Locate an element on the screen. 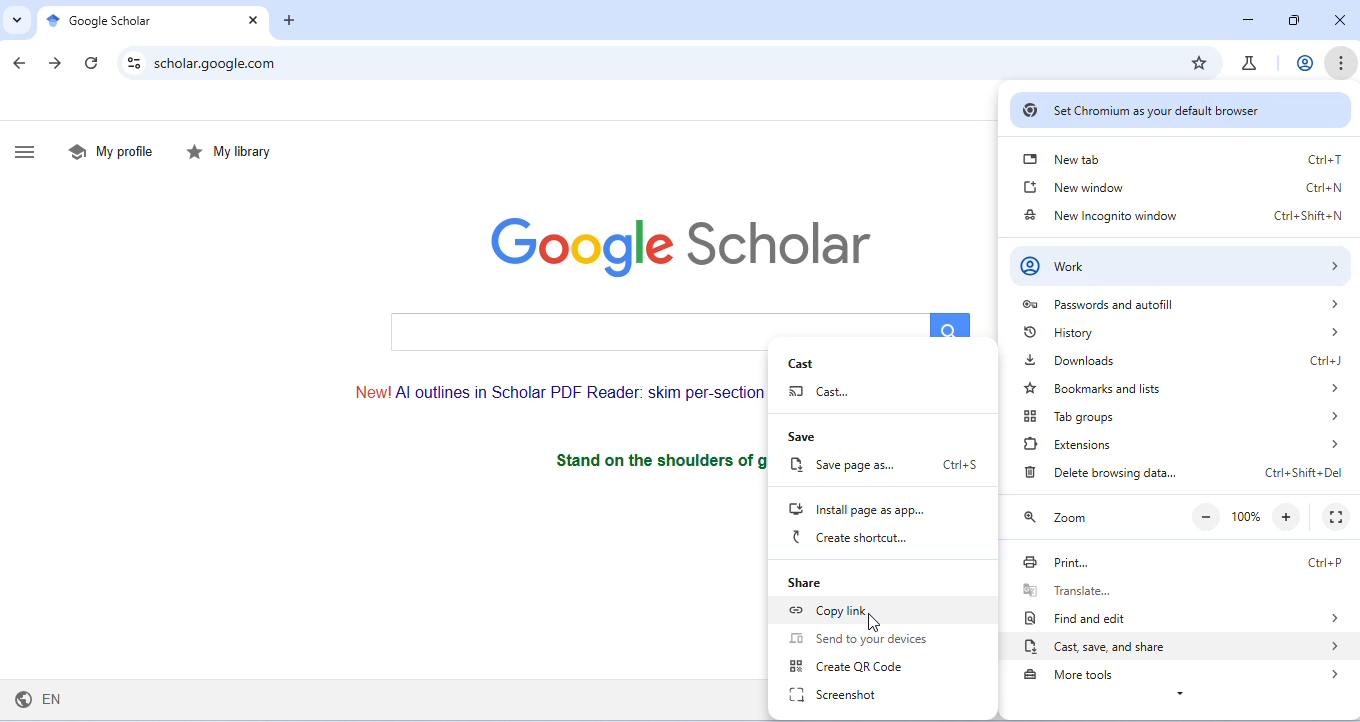 This screenshot has width=1360, height=722. stand on the shoulders of giants is located at coordinates (654, 459).